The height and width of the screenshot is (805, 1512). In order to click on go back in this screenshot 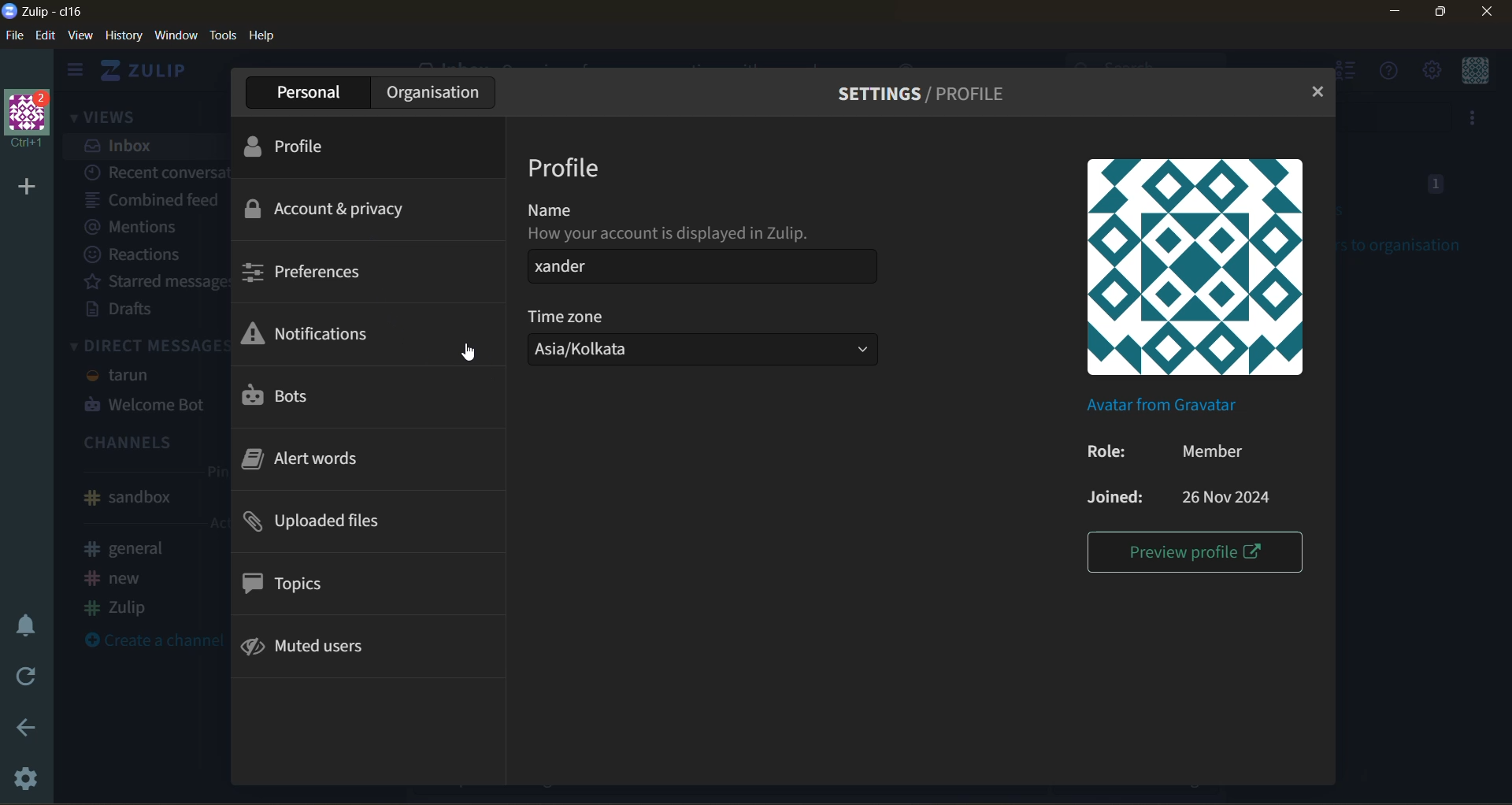, I will do `click(27, 729)`.